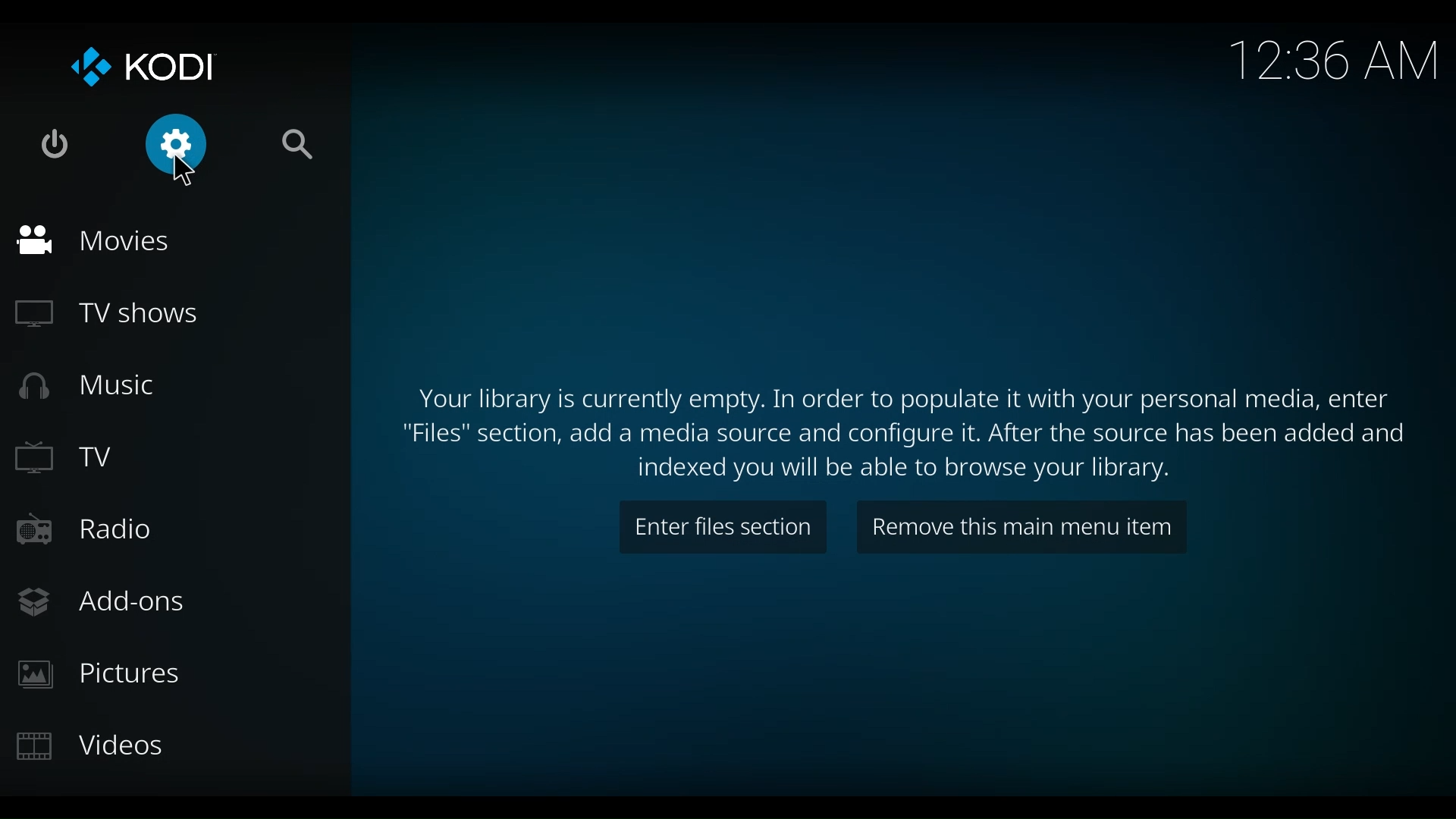  What do you see at coordinates (297, 149) in the screenshot?
I see `Search` at bounding box center [297, 149].